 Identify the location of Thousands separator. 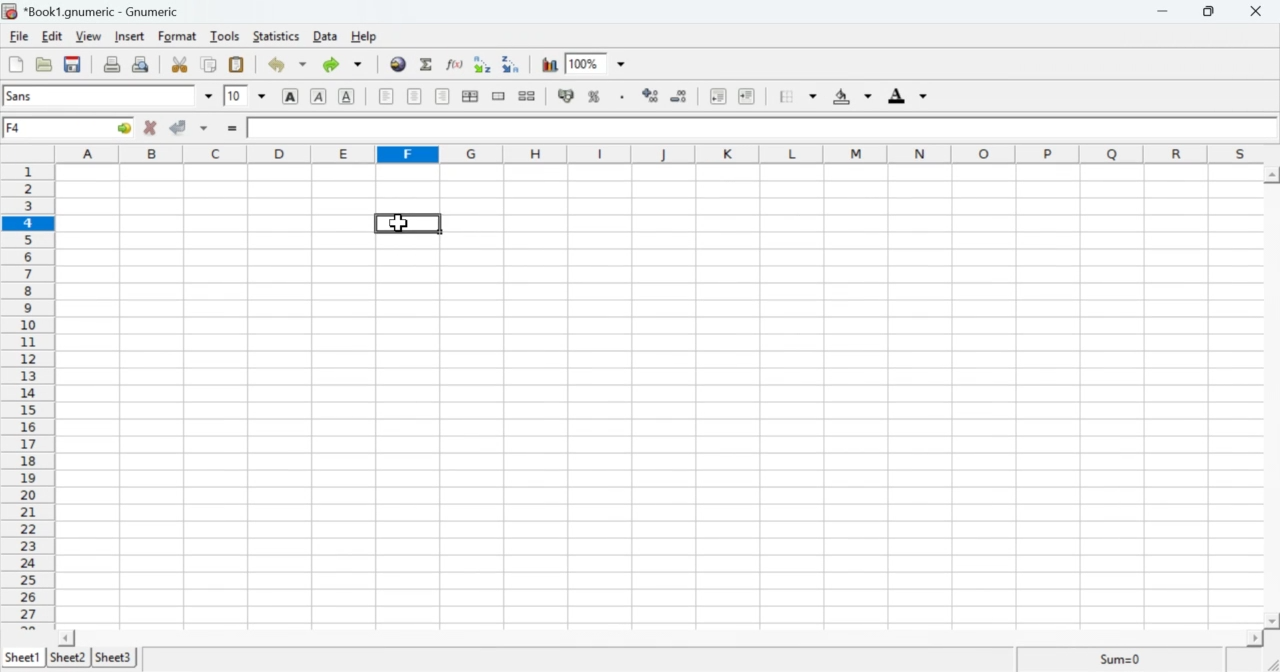
(620, 94).